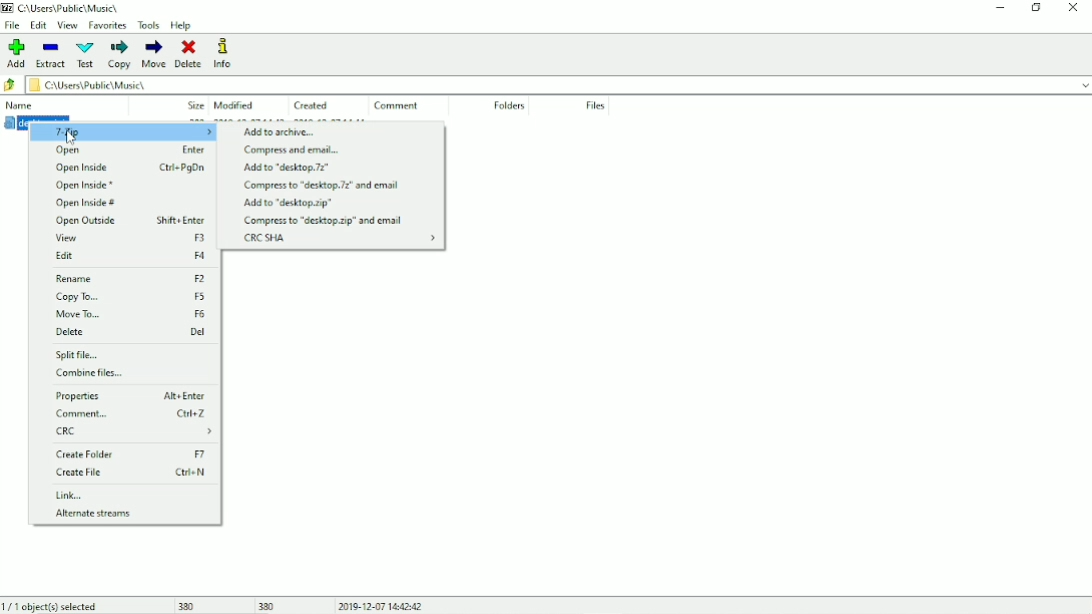 The image size is (1092, 614). What do you see at coordinates (81, 355) in the screenshot?
I see `Split file` at bounding box center [81, 355].